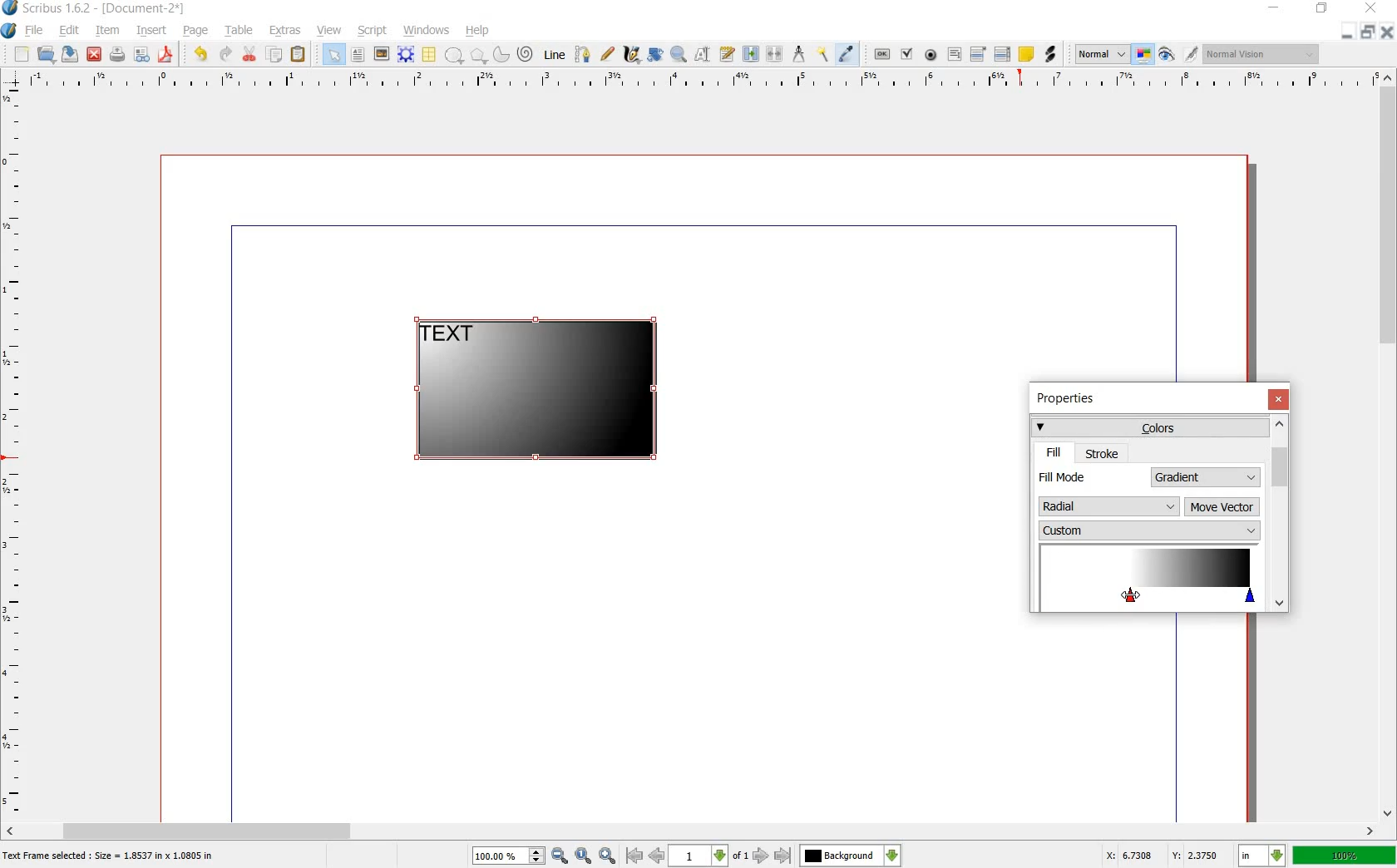 The height and width of the screenshot is (868, 1397). Describe the element at coordinates (500, 53) in the screenshot. I see `arc` at that location.